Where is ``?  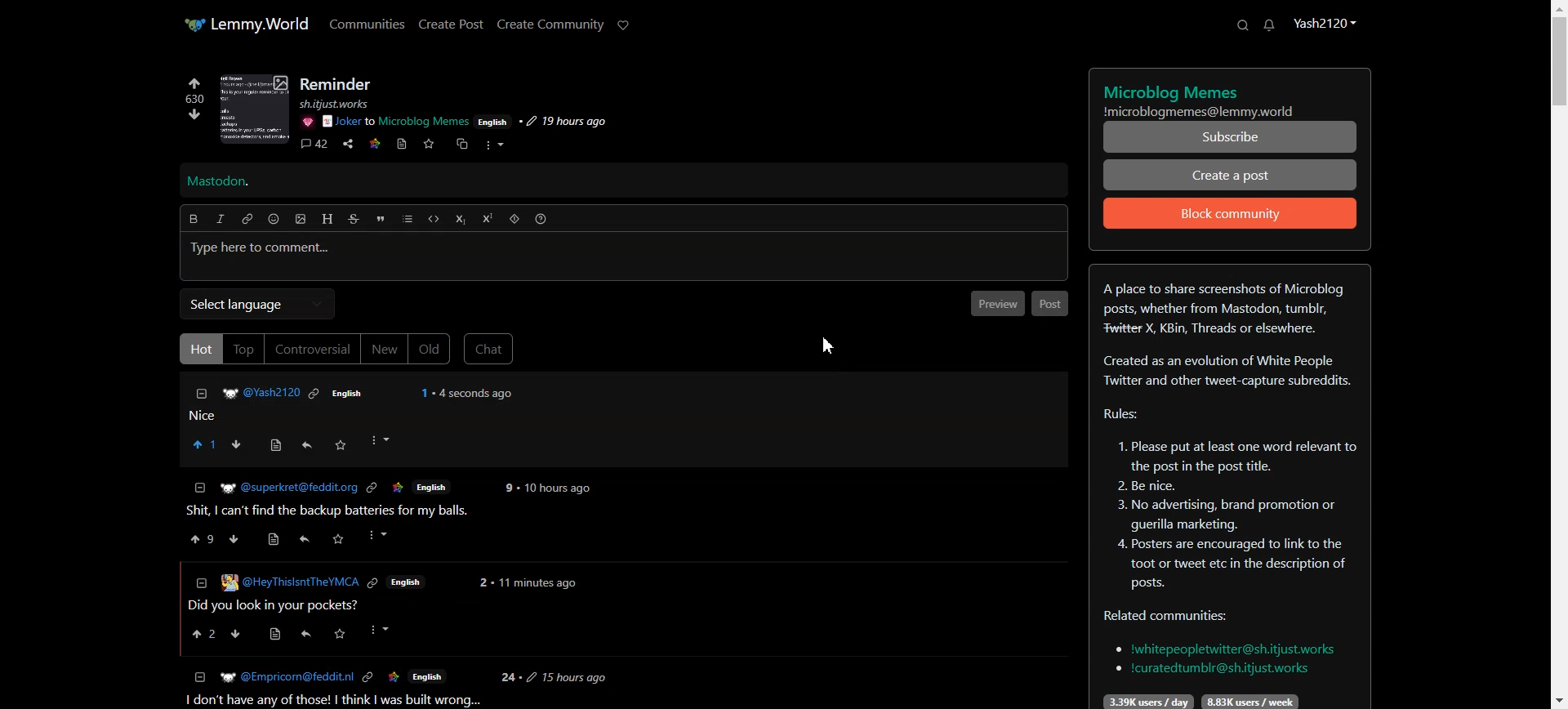  is located at coordinates (272, 541).